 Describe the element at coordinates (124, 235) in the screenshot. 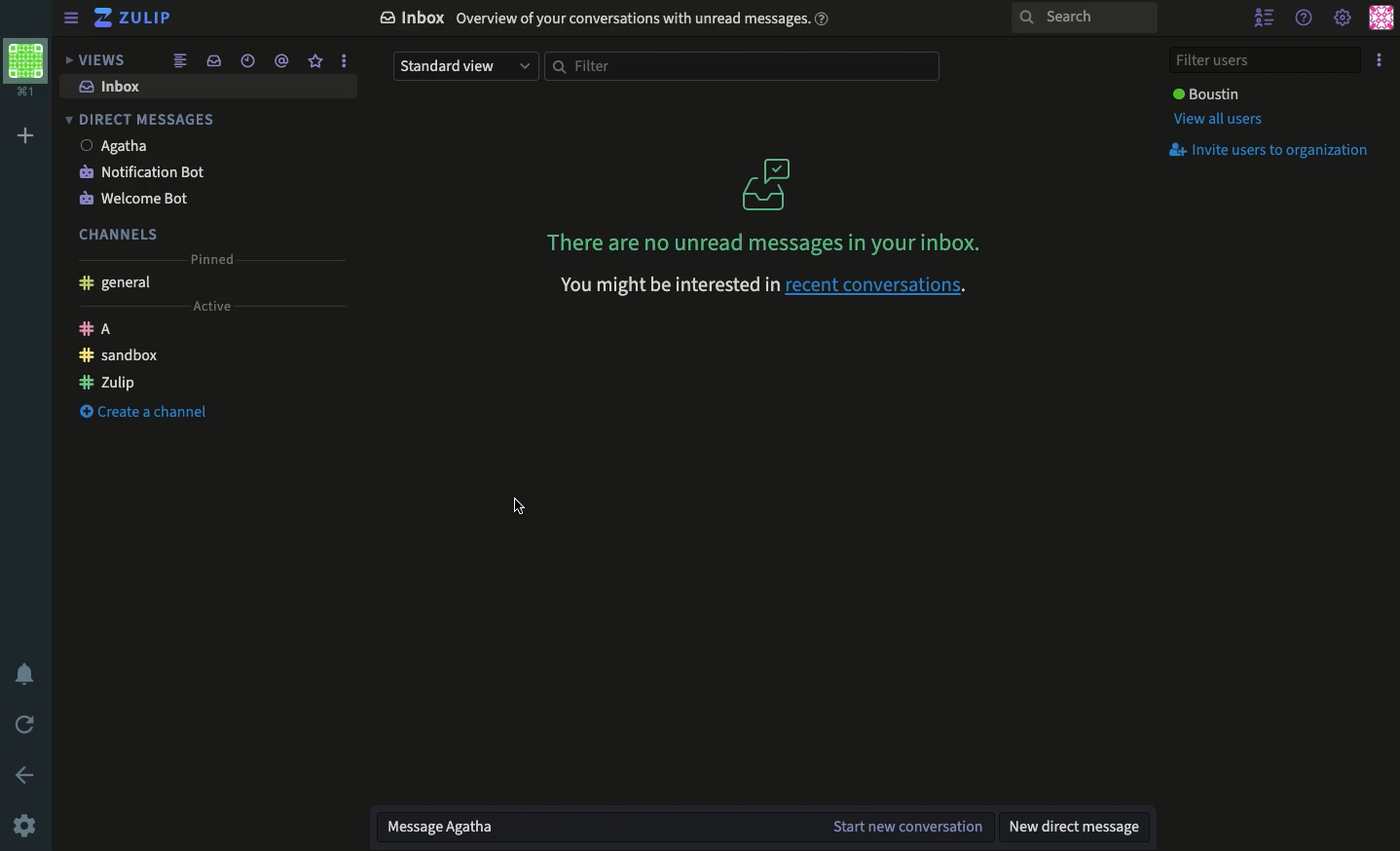

I see `Channels` at that location.